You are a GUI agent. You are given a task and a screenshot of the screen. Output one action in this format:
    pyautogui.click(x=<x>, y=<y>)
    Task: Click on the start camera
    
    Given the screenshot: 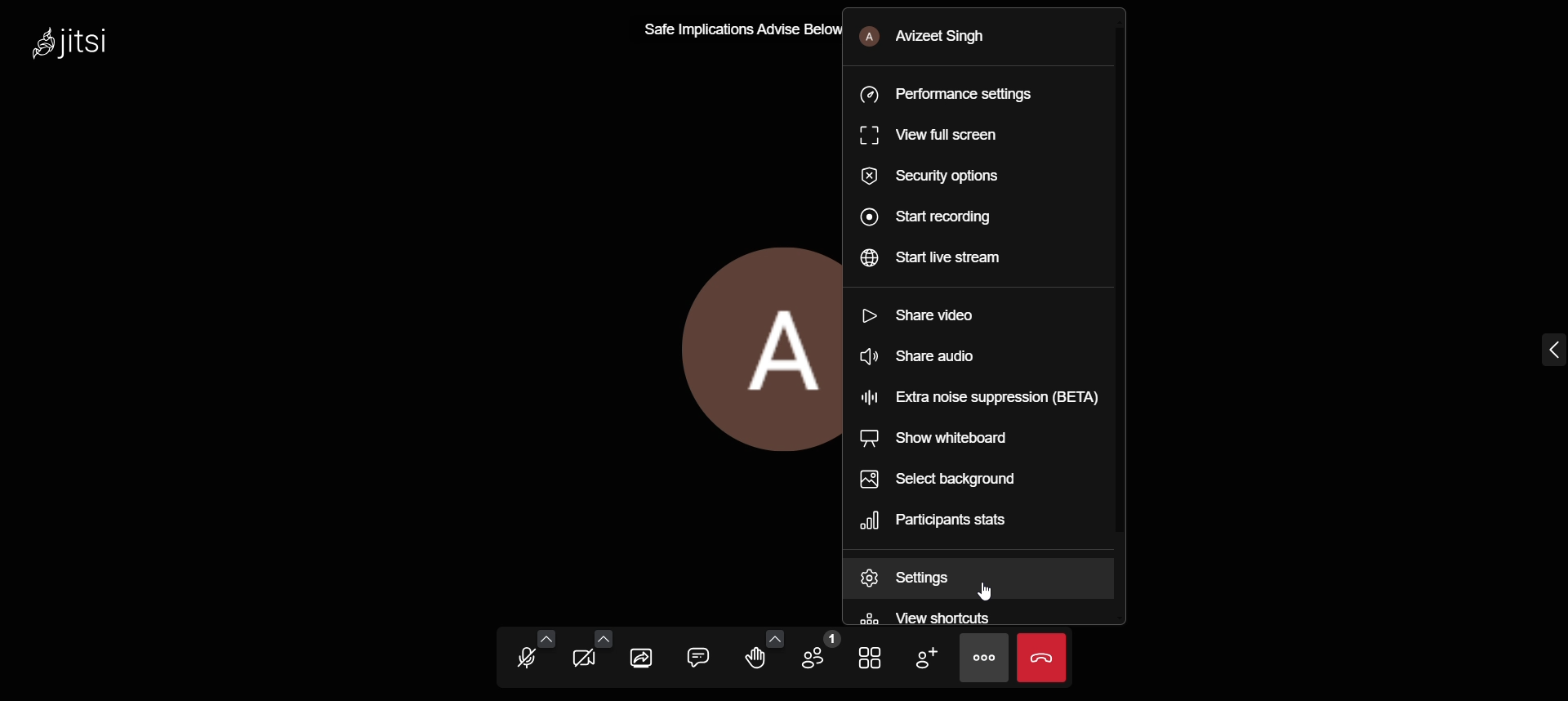 What is the action you would take?
    pyautogui.click(x=586, y=659)
    